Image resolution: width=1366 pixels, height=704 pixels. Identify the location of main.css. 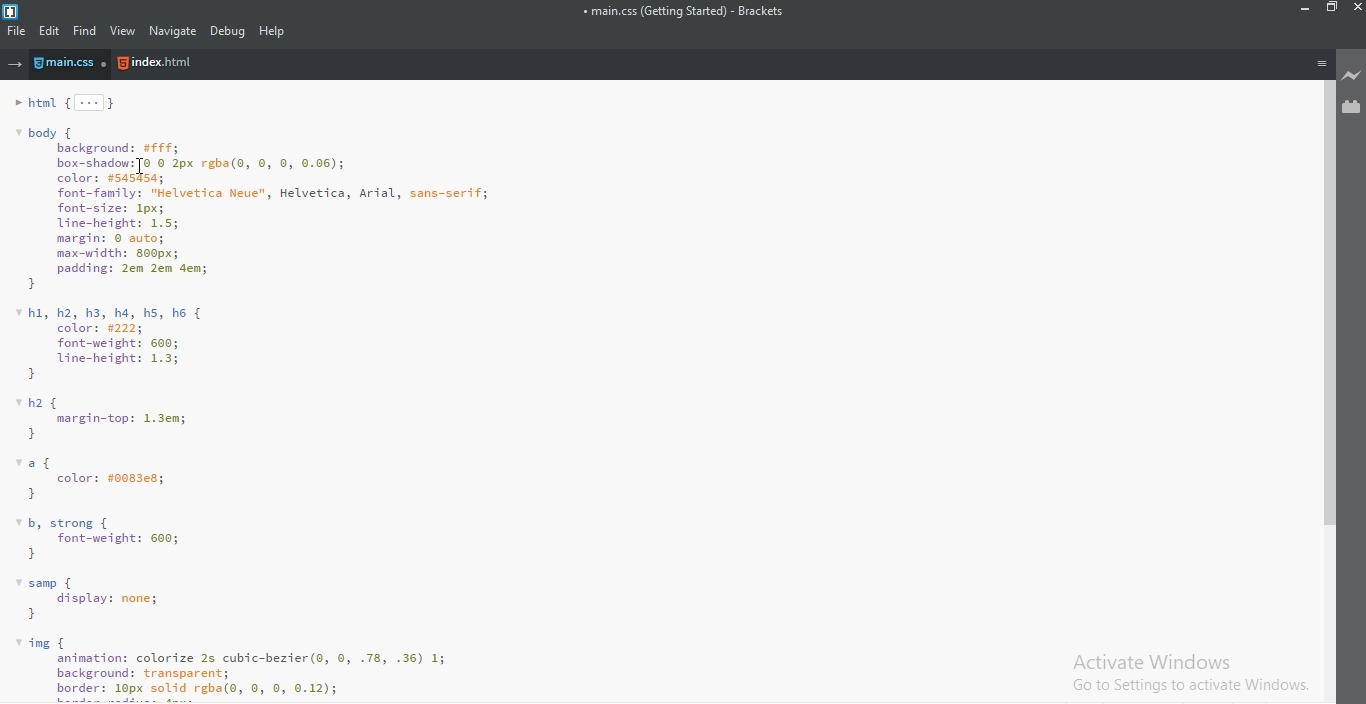
(73, 65).